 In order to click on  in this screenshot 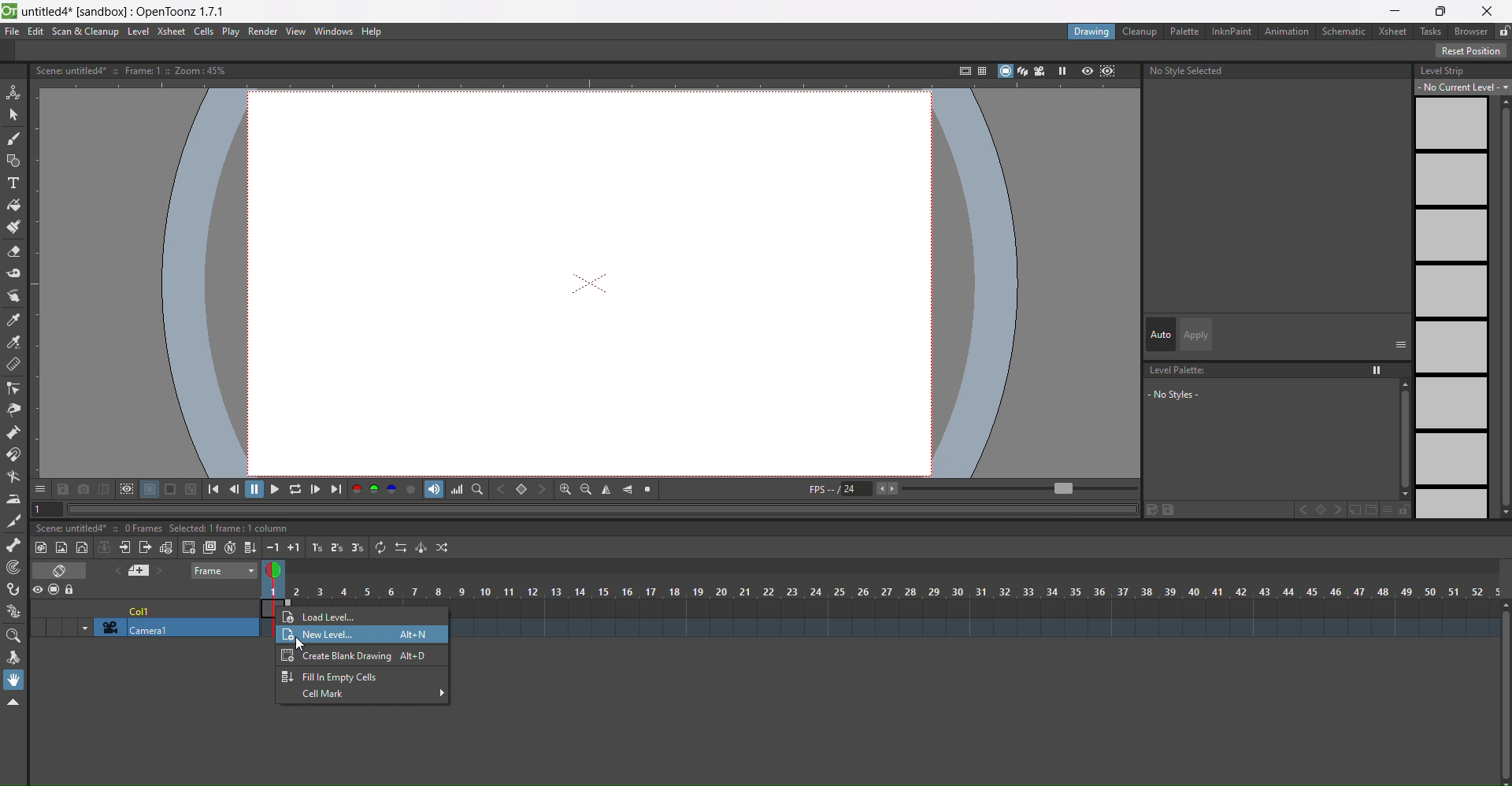, I will do `click(605, 490)`.